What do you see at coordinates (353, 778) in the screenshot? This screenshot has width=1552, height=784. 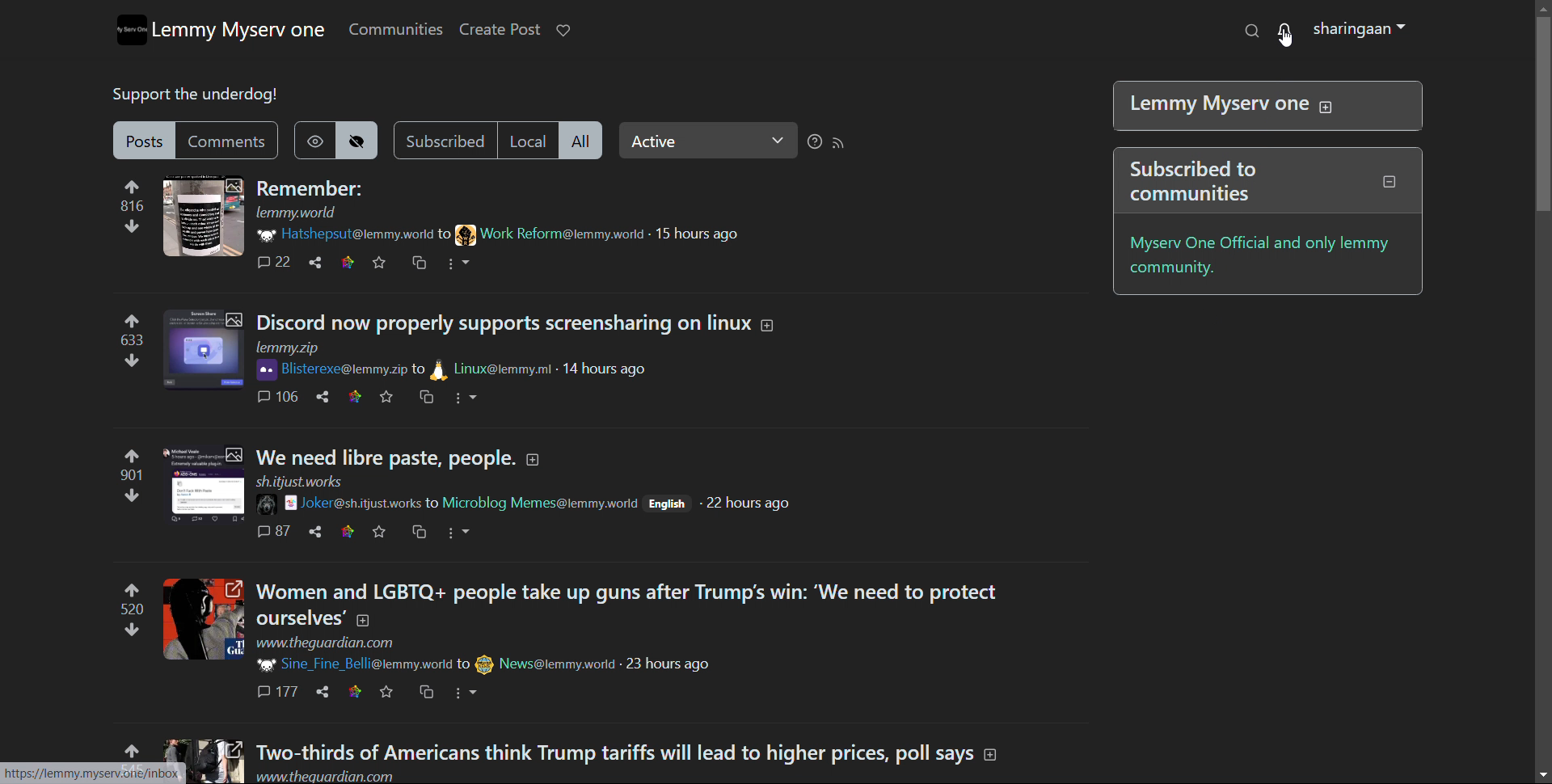 I see `url` at bounding box center [353, 778].